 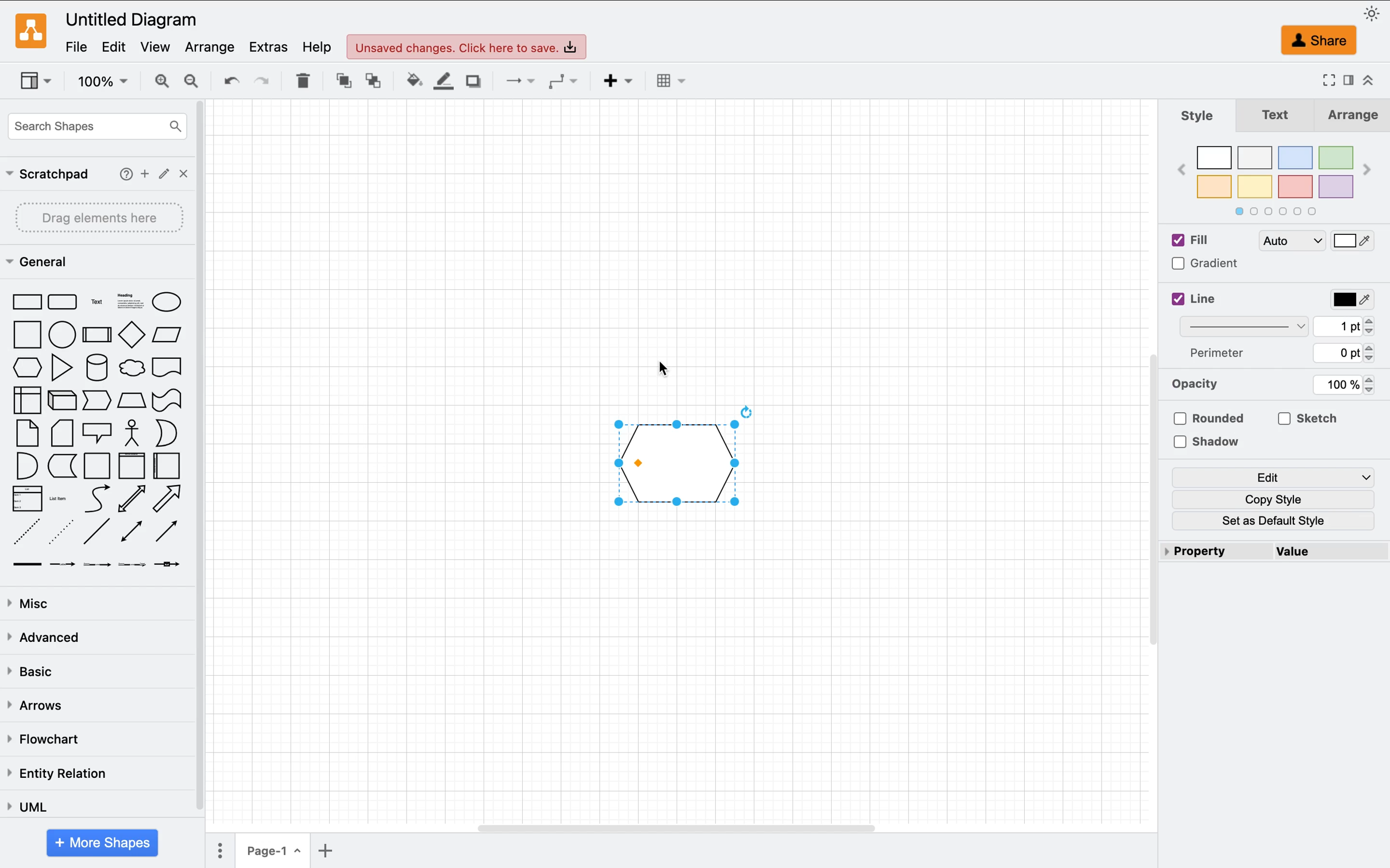 What do you see at coordinates (175, 81) in the screenshot?
I see `zoom in and out` at bounding box center [175, 81].